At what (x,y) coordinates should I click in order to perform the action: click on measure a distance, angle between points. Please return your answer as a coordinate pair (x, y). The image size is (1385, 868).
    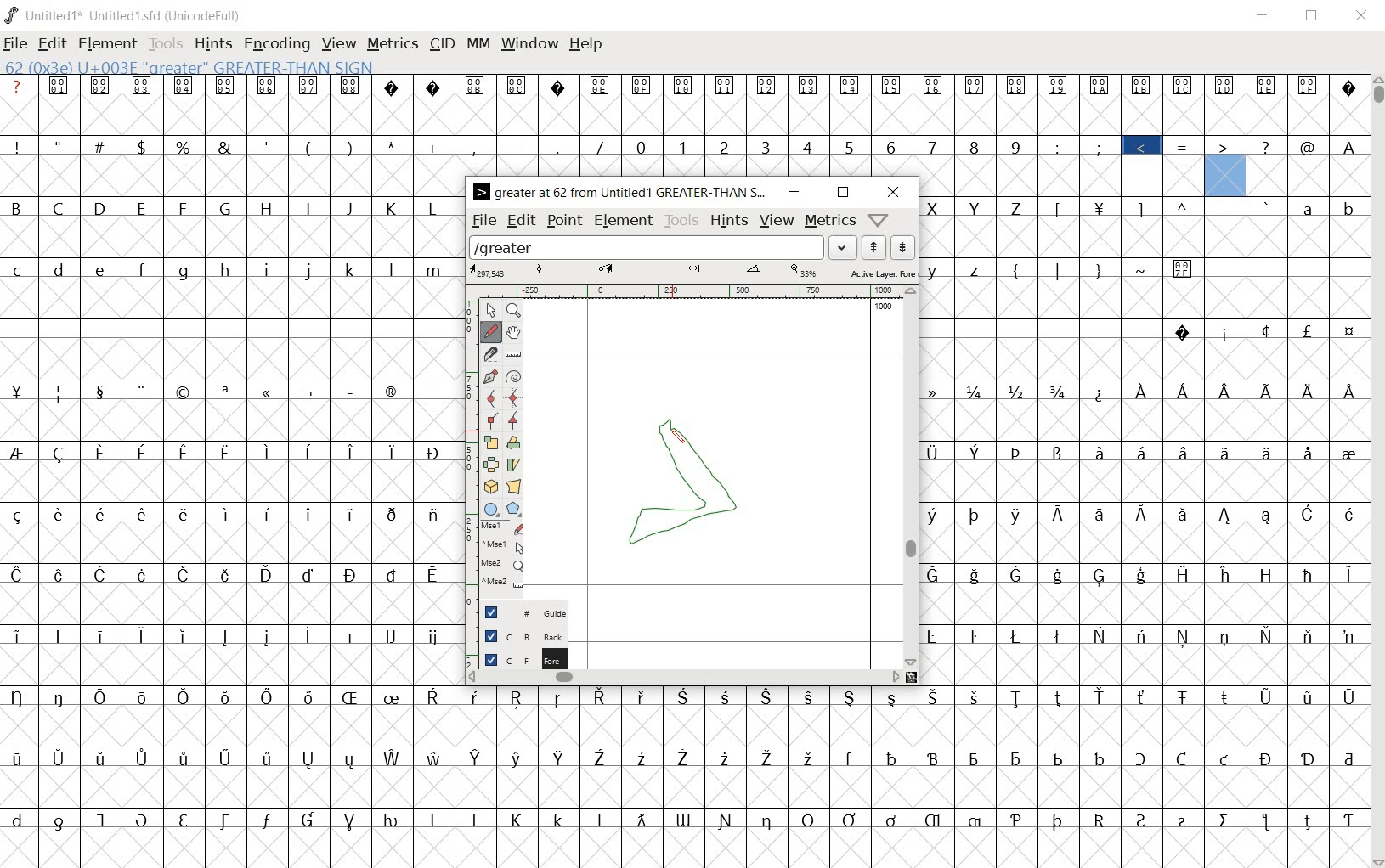
    Looking at the image, I should click on (513, 352).